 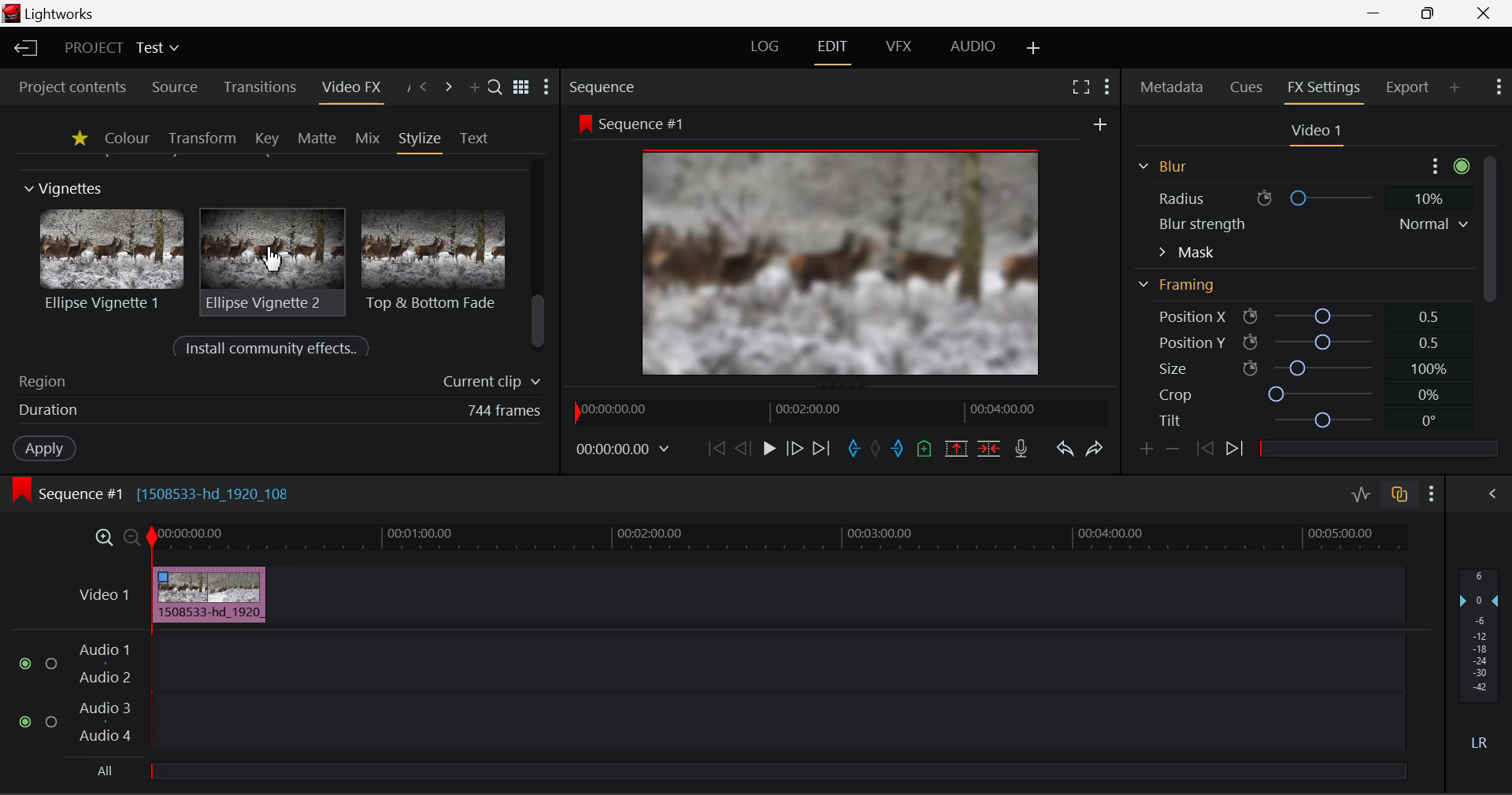 What do you see at coordinates (972, 47) in the screenshot?
I see `AUDIO Layout` at bounding box center [972, 47].